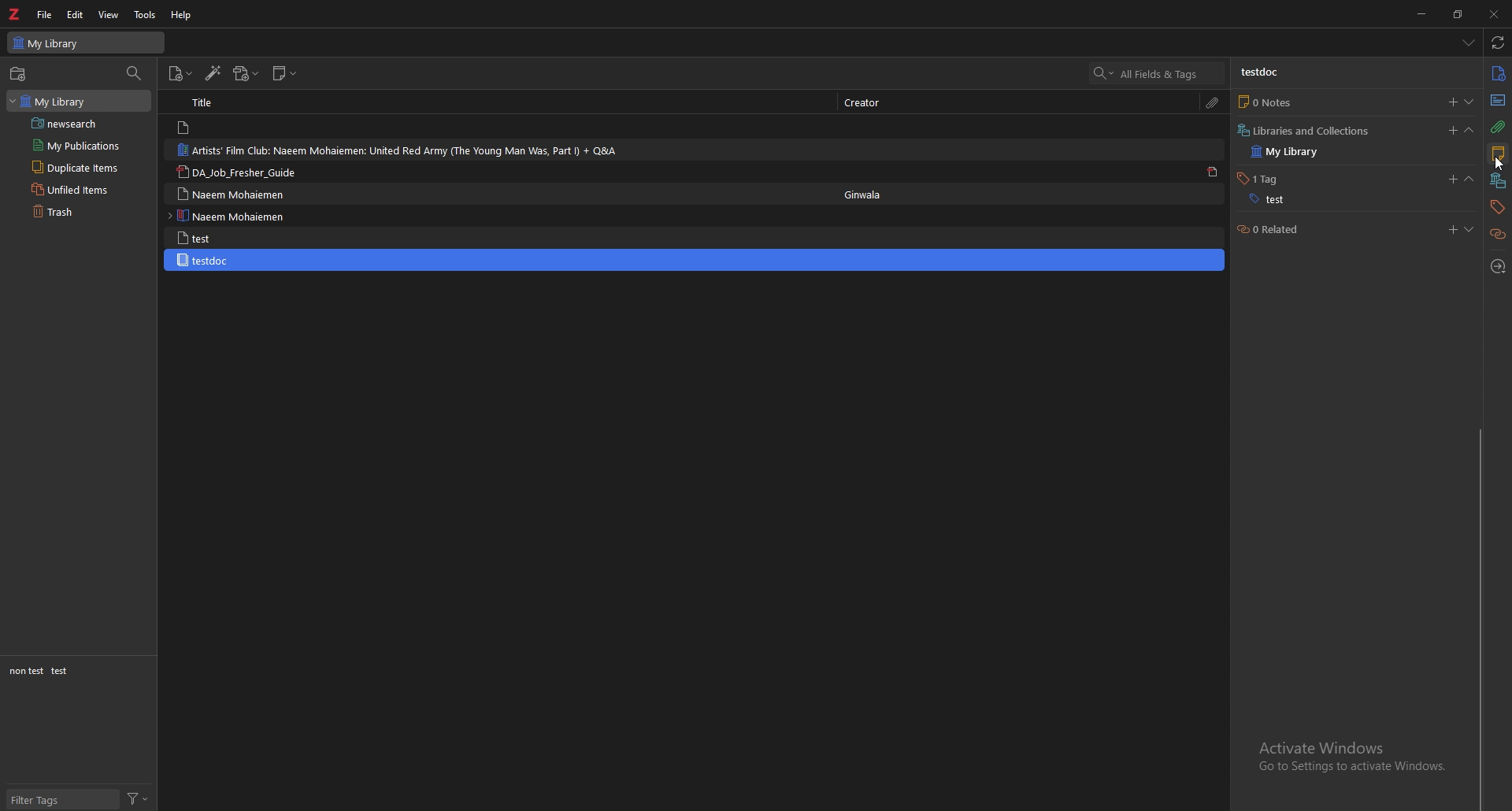  I want to click on close, so click(1493, 13).